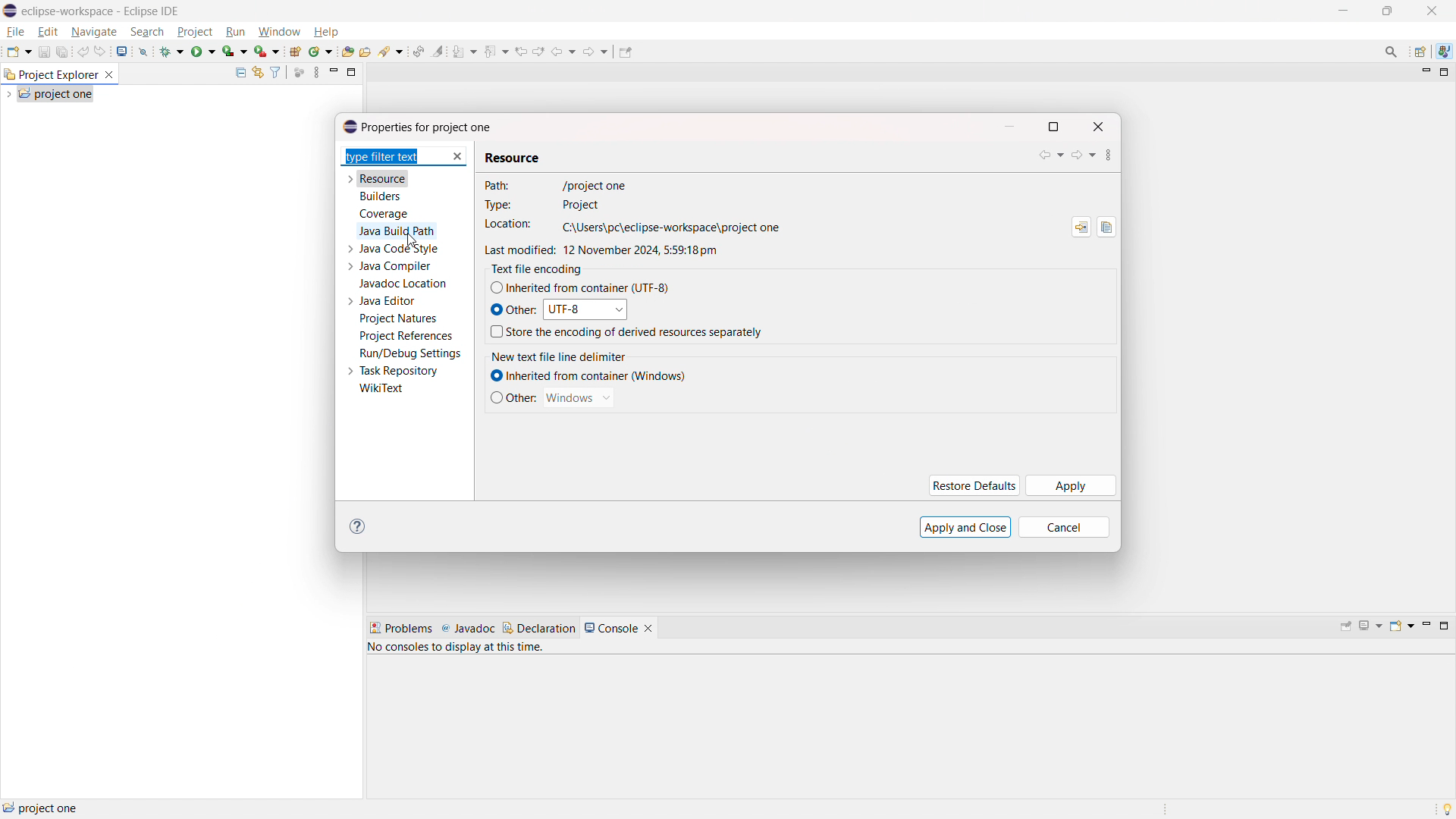  Describe the element at coordinates (350, 247) in the screenshot. I see `expand java code style` at that location.